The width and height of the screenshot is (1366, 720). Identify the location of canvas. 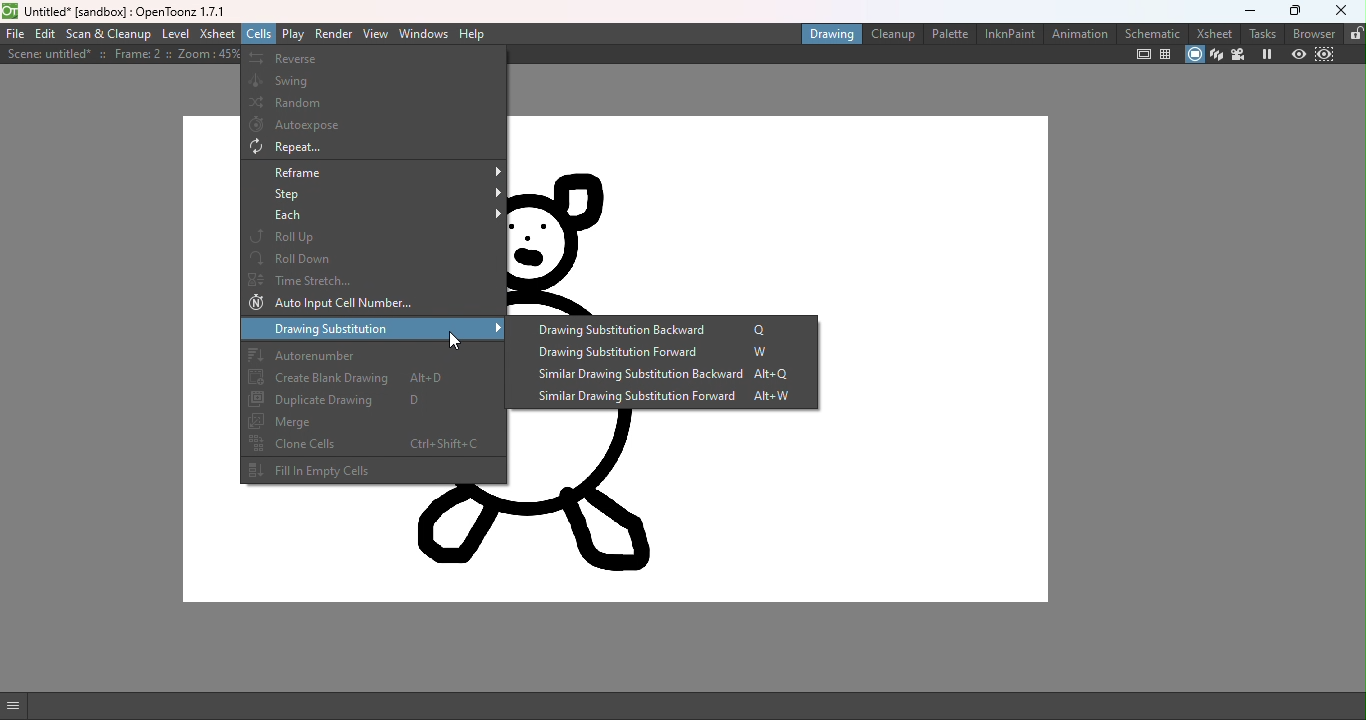
(778, 215).